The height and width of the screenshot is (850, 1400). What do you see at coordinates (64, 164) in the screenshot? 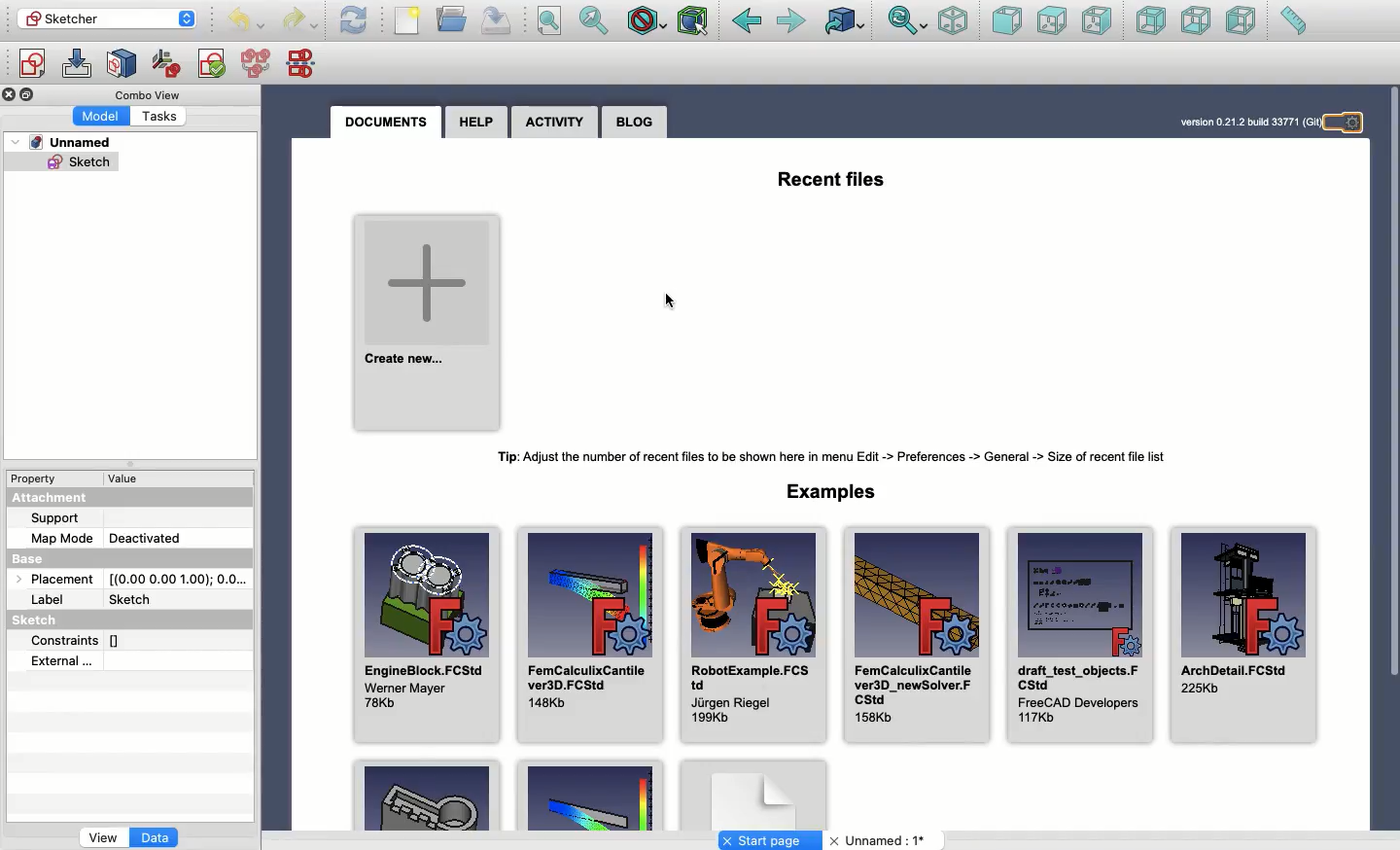
I see `Sketch` at bounding box center [64, 164].